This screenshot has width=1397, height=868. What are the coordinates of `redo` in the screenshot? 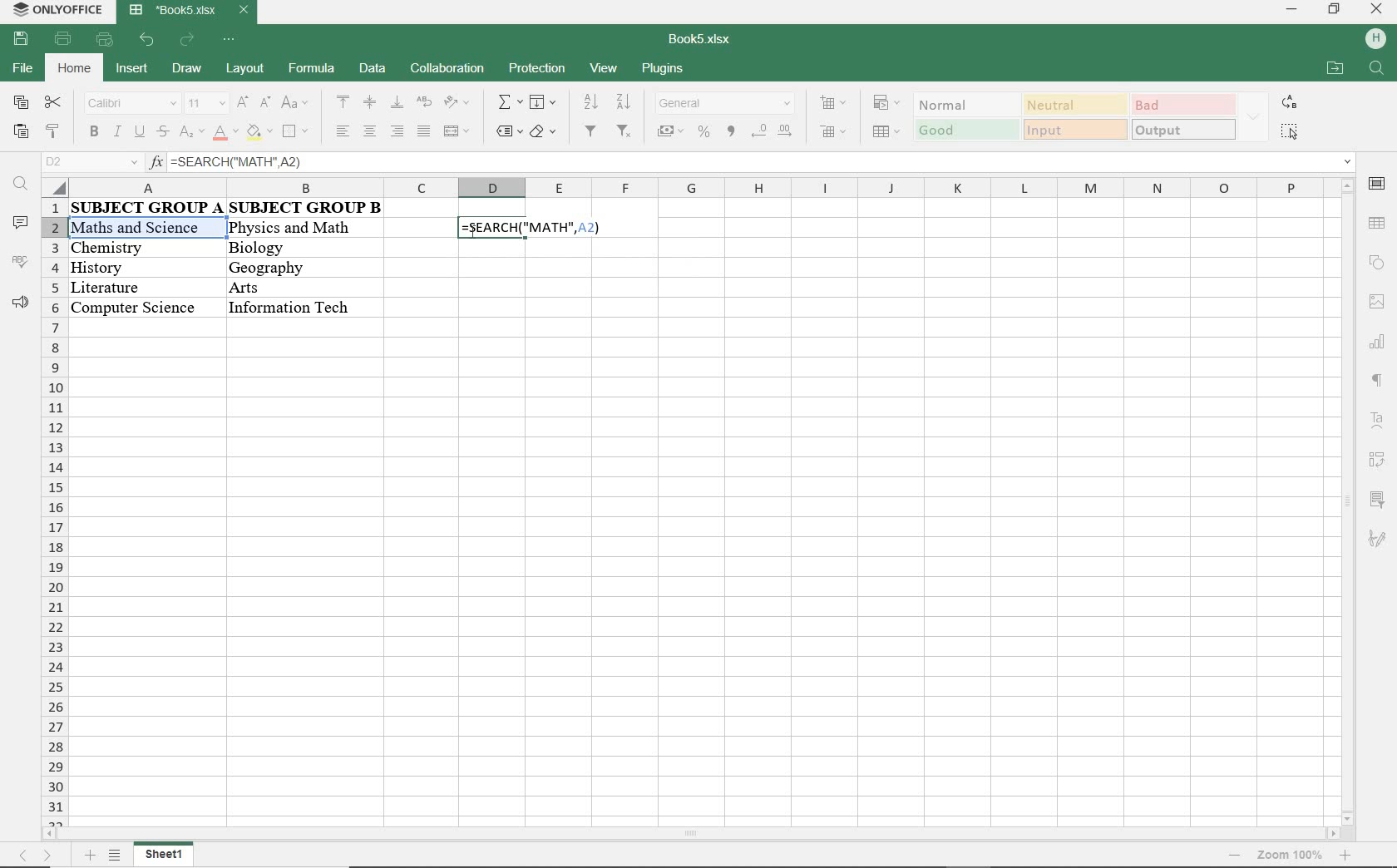 It's located at (188, 42).